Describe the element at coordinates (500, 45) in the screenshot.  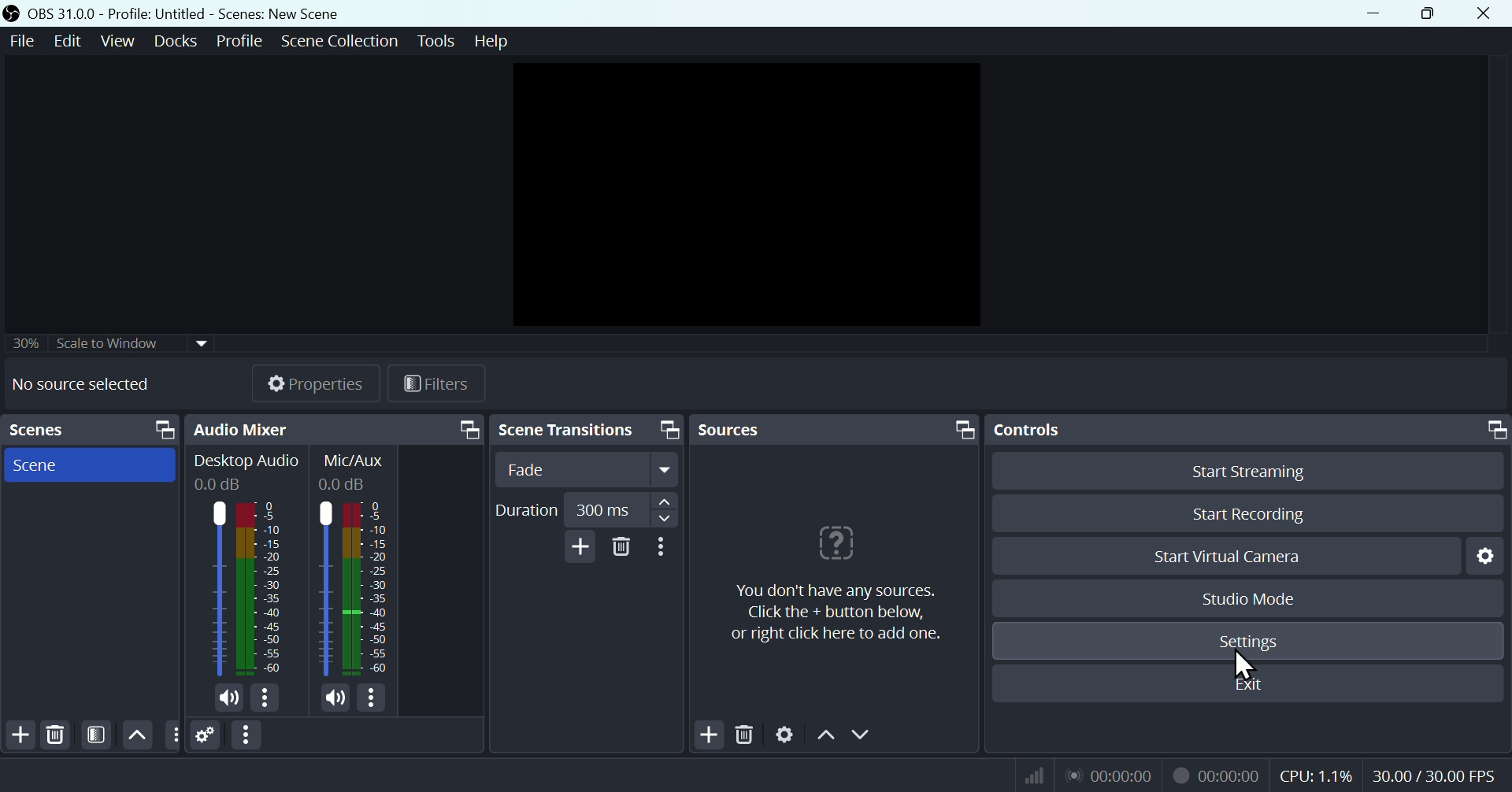
I see `help` at that location.